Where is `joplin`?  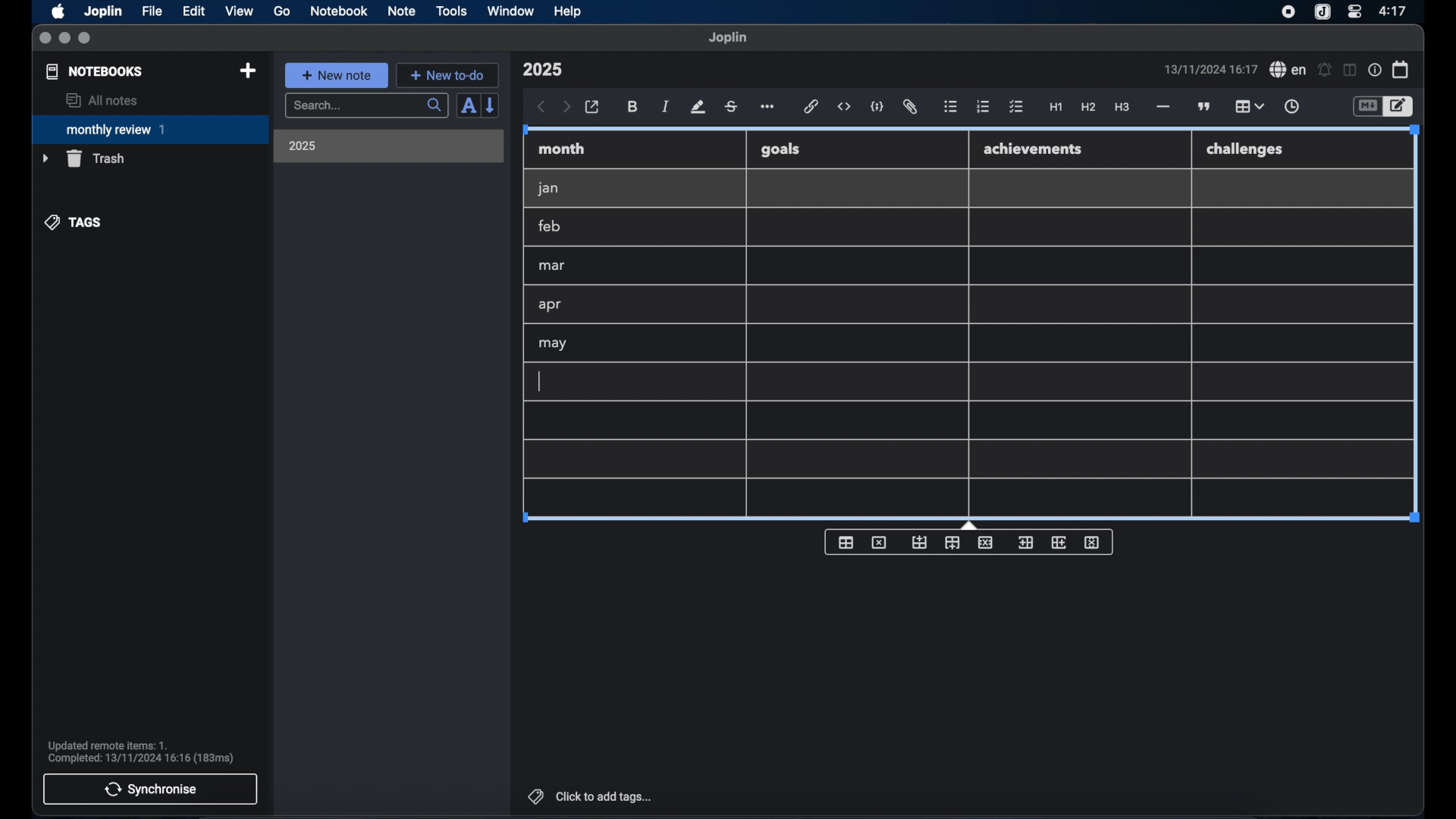 joplin is located at coordinates (728, 37).